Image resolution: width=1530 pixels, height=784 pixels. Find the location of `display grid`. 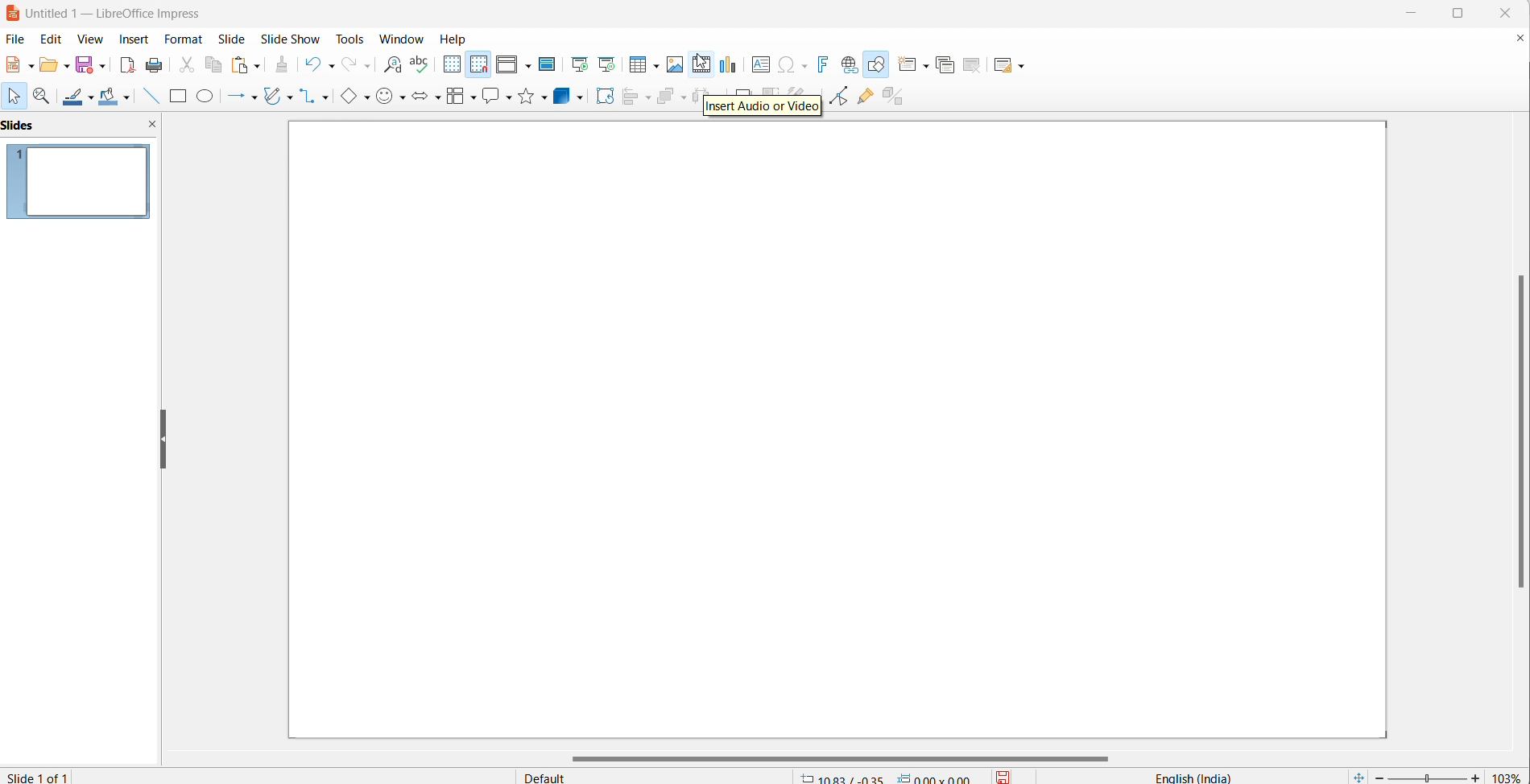

display grid is located at coordinates (455, 65).